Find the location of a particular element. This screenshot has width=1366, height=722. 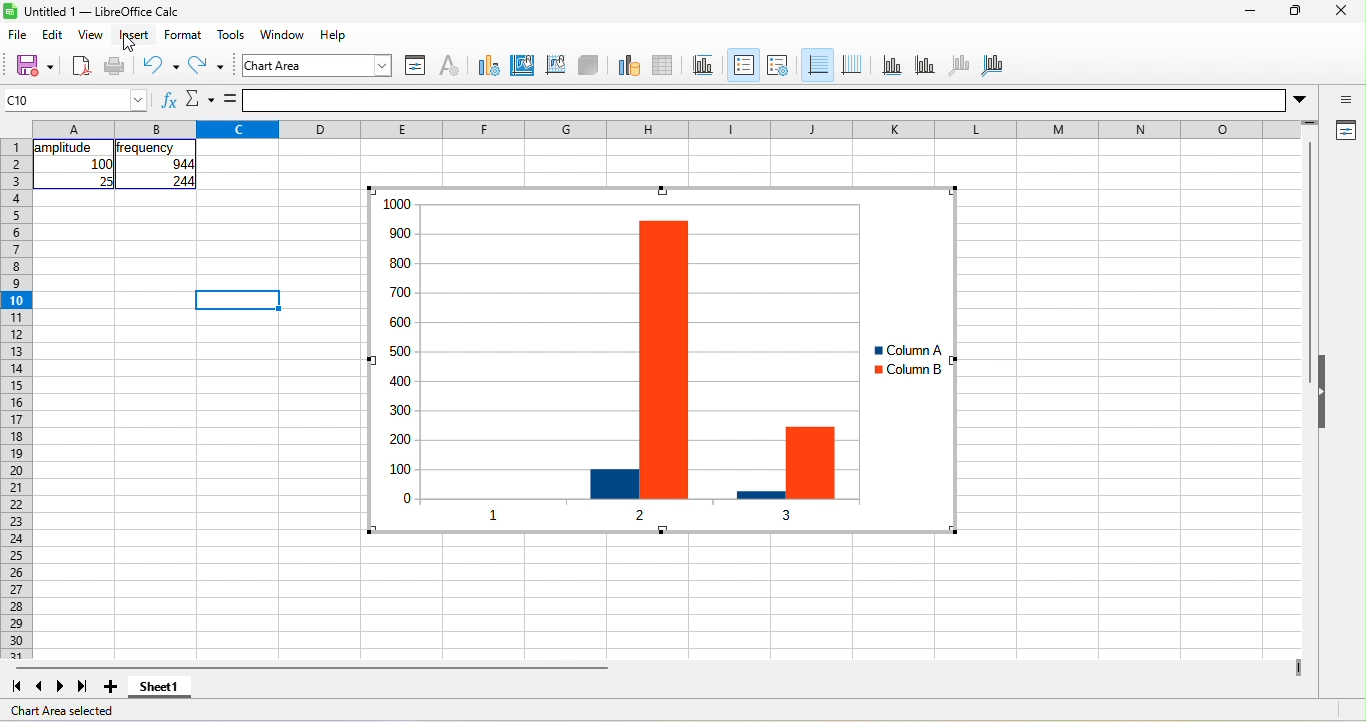

redo is located at coordinates (210, 68).